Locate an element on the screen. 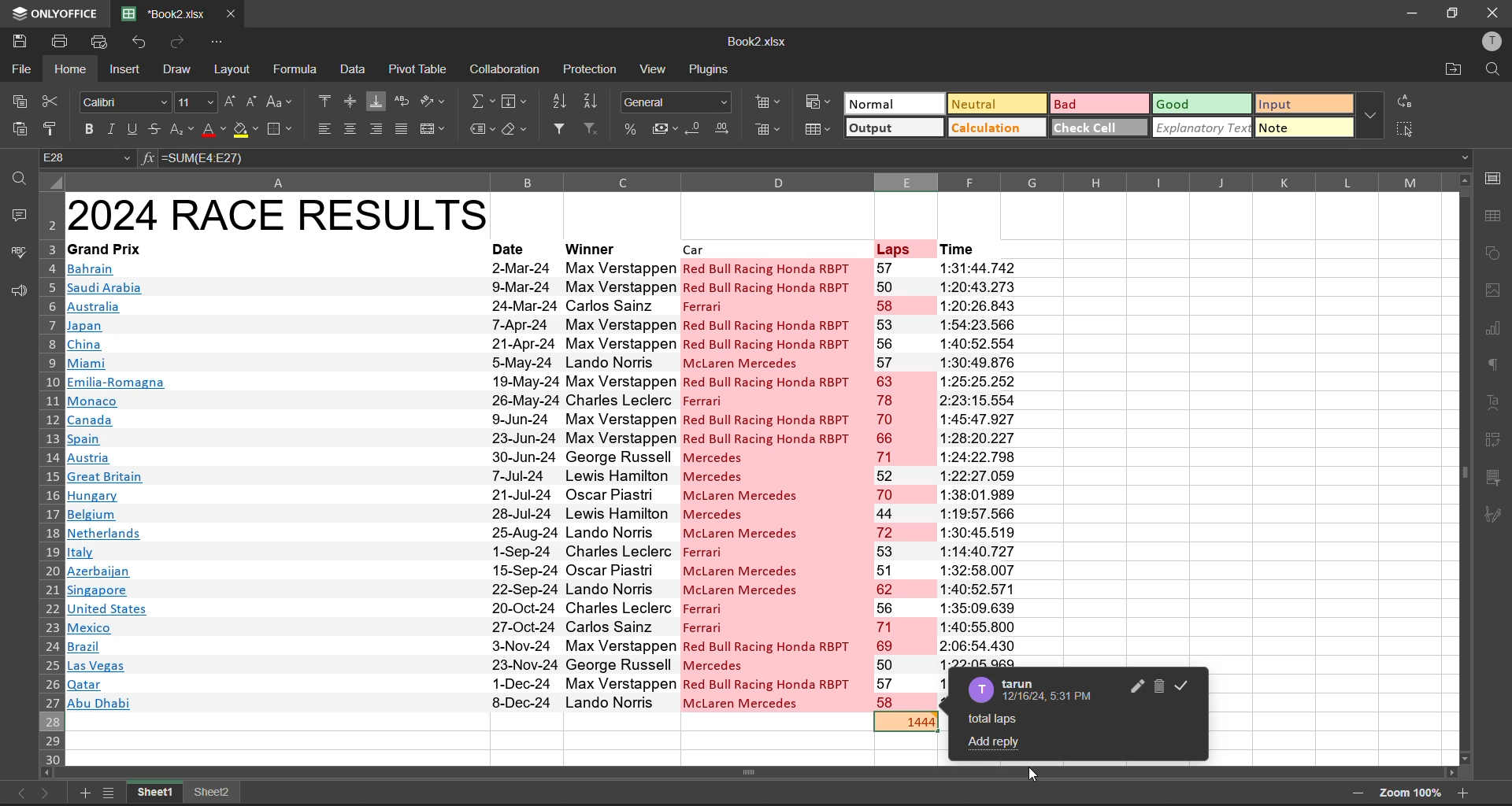 The width and height of the screenshot is (1512, 806). more options is located at coordinates (1372, 116).